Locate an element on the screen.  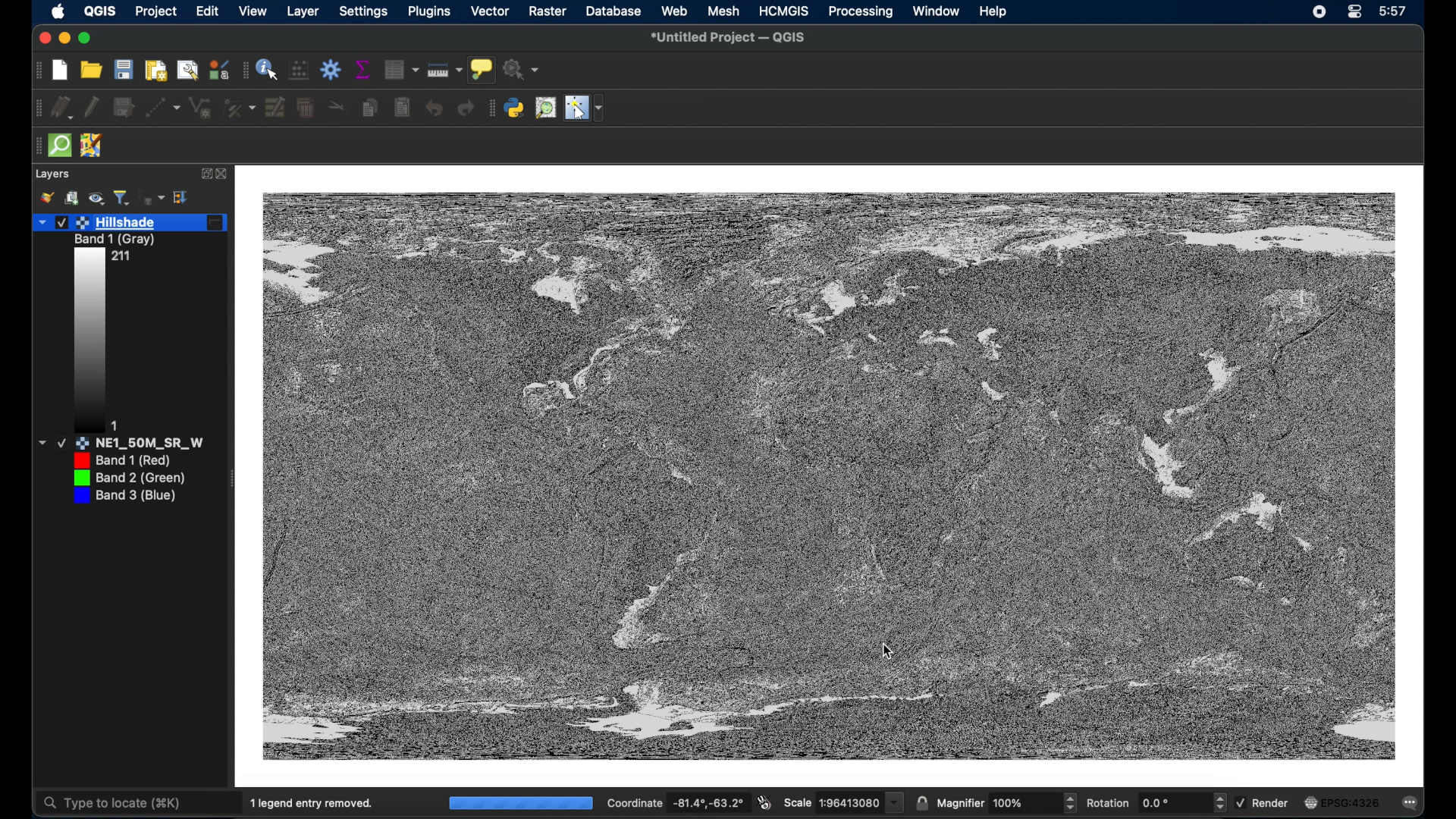
delete selected is located at coordinates (306, 106).